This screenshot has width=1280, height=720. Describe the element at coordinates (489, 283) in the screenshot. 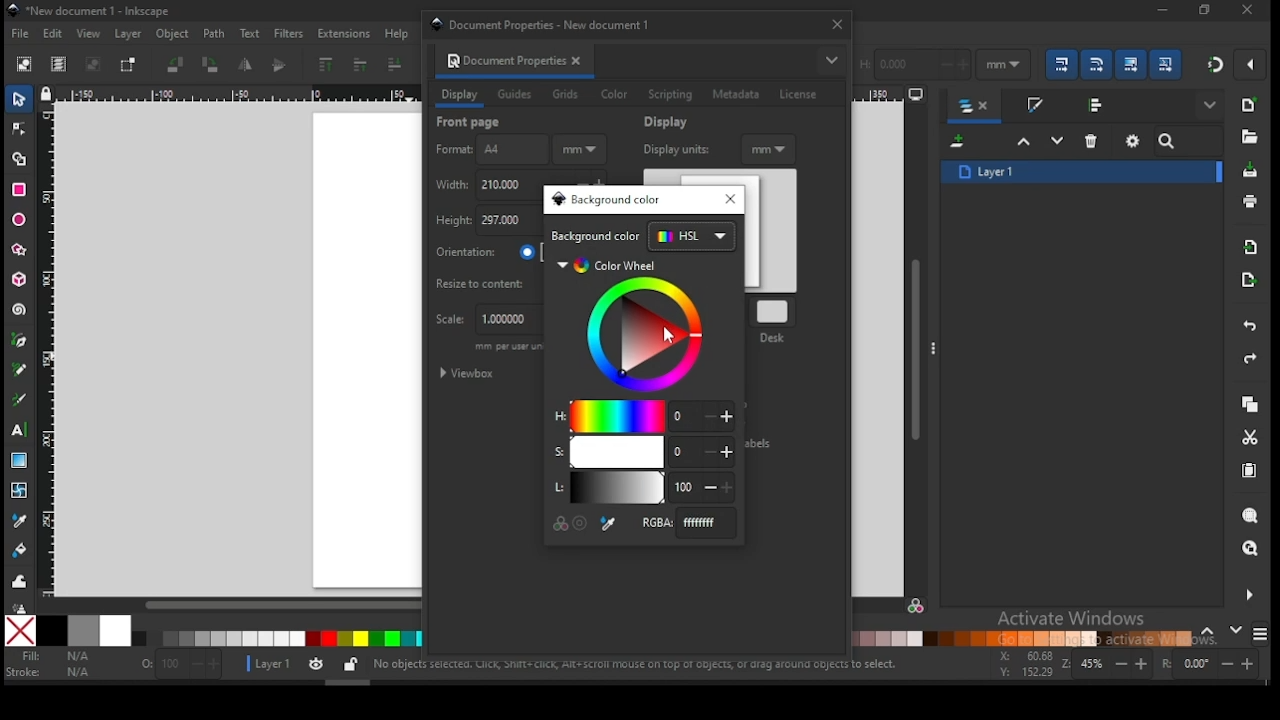

I see `resize to content` at that location.